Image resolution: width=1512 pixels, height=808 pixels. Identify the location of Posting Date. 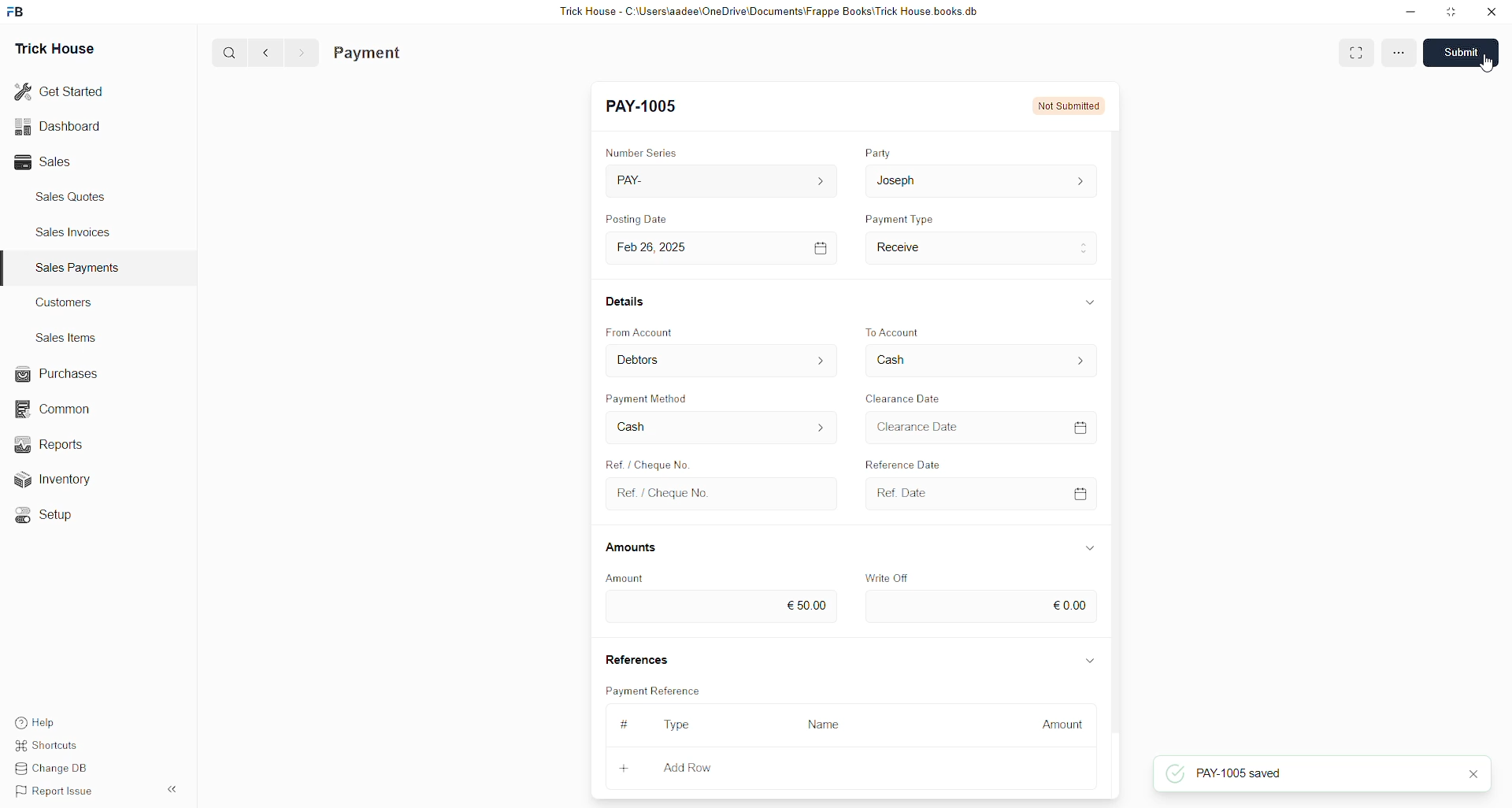
(636, 218).